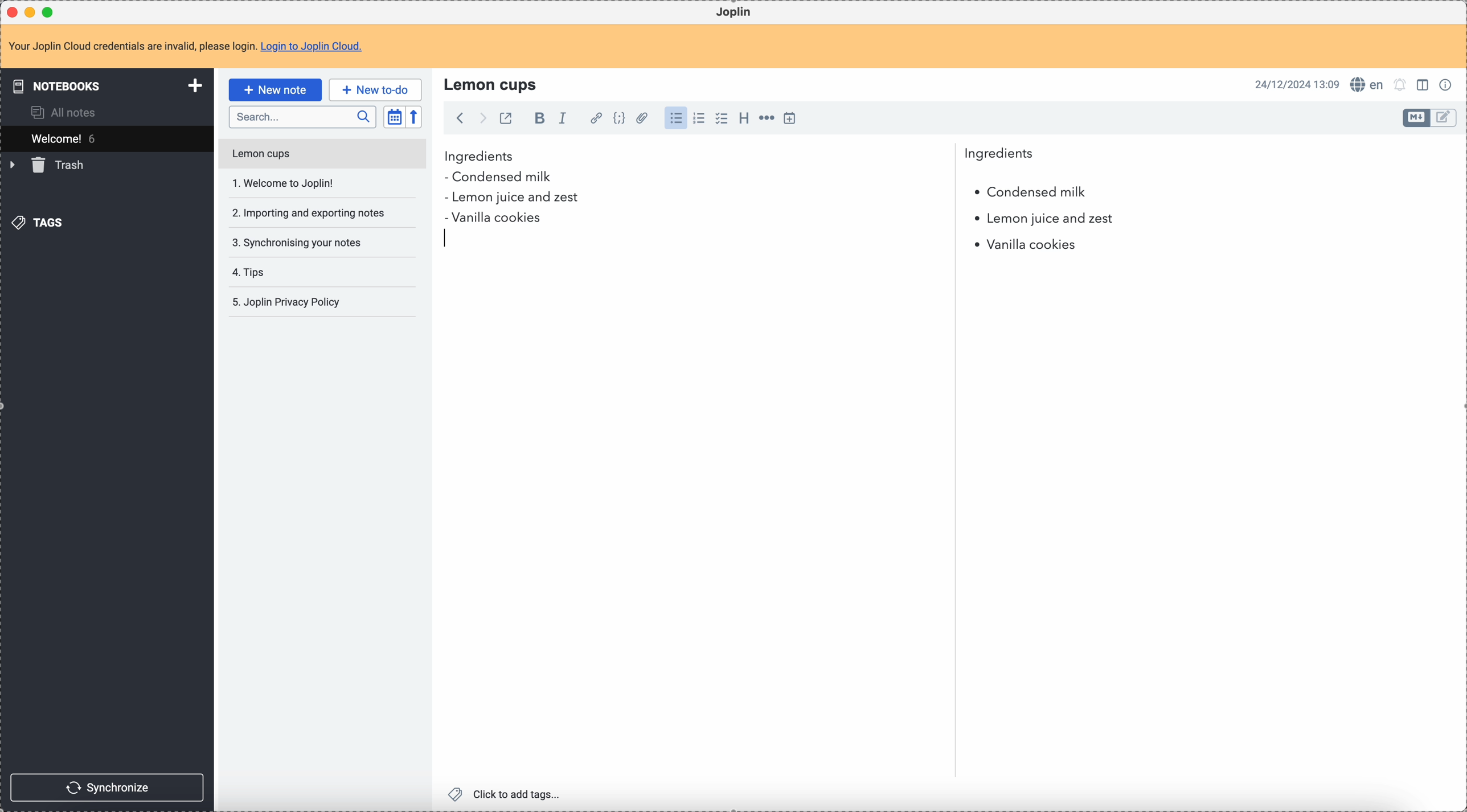  What do you see at coordinates (765, 120) in the screenshot?
I see `horizontal rule` at bounding box center [765, 120].